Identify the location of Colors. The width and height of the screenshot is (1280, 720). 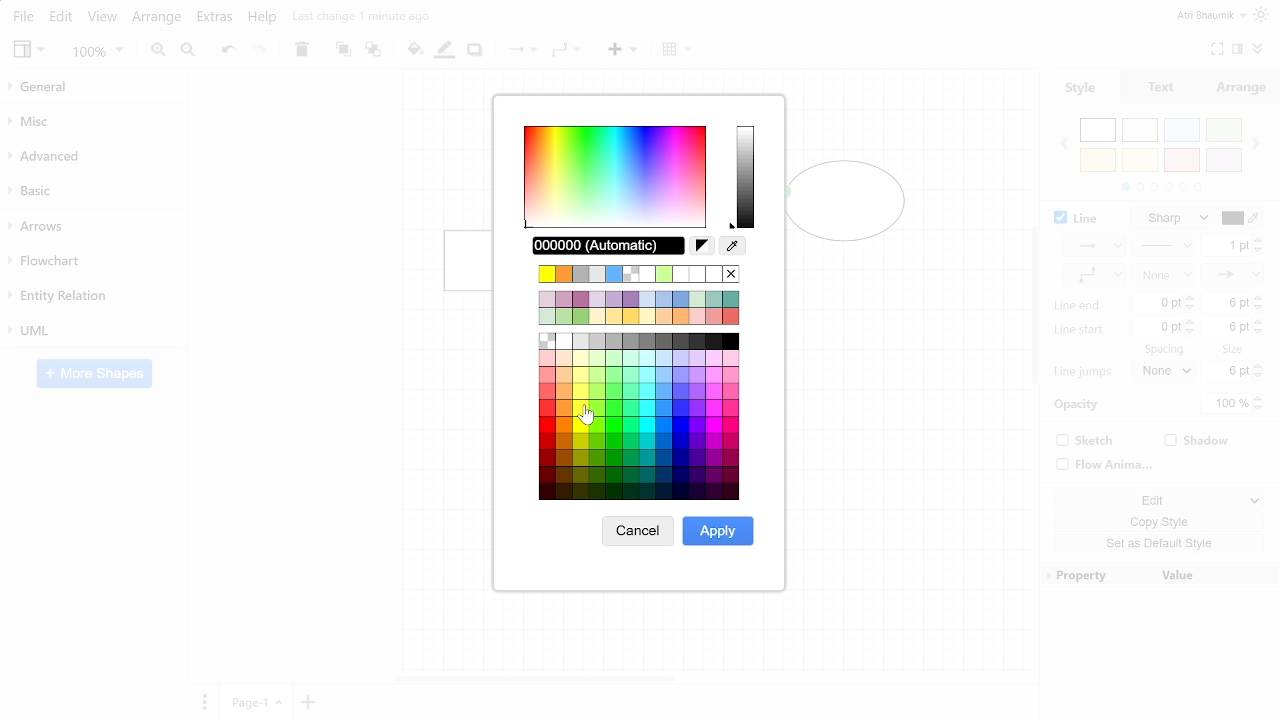
(640, 383).